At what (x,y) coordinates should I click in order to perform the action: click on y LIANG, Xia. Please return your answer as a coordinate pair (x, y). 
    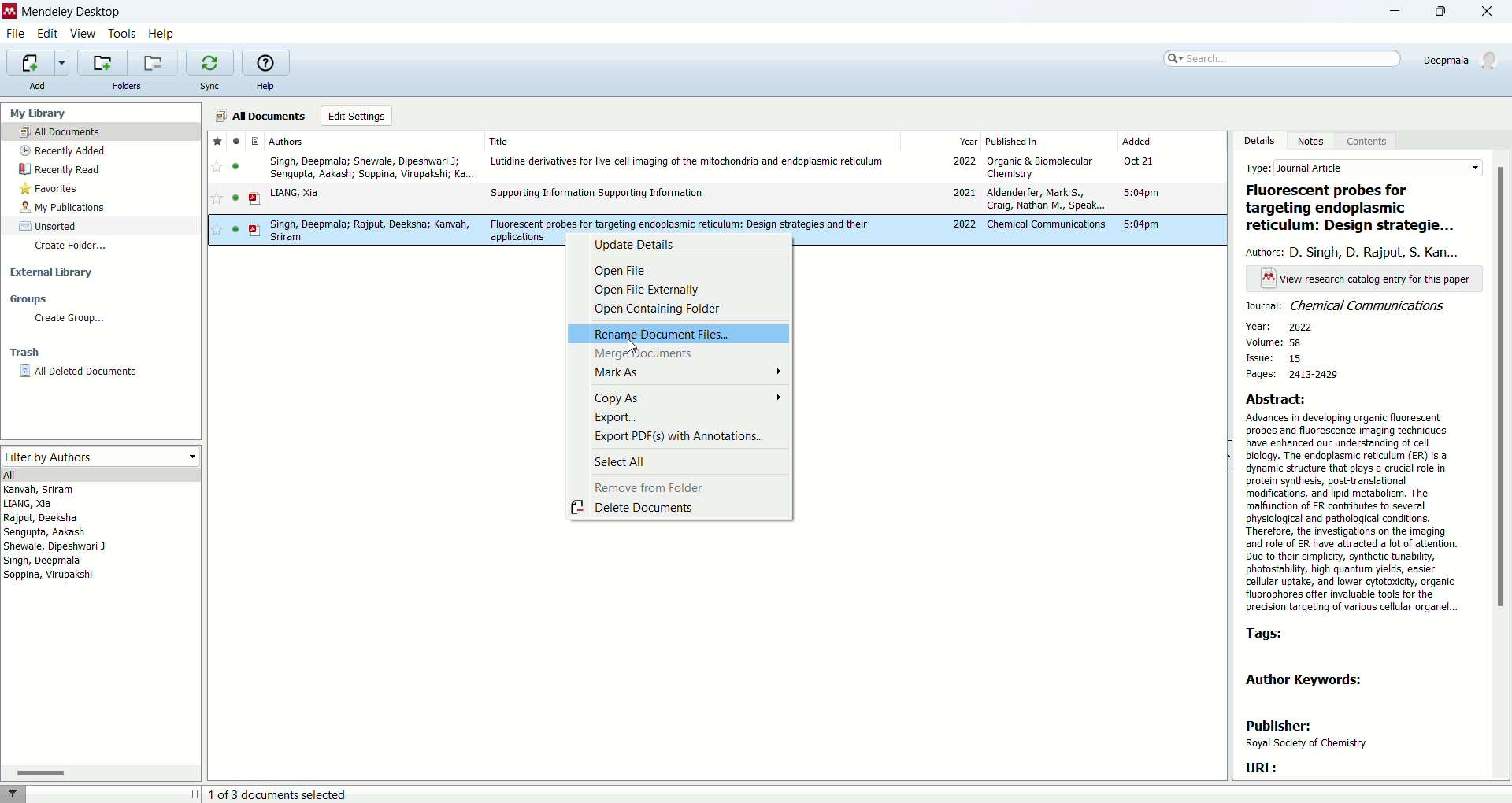
    Looking at the image, I should click on (306, 193).